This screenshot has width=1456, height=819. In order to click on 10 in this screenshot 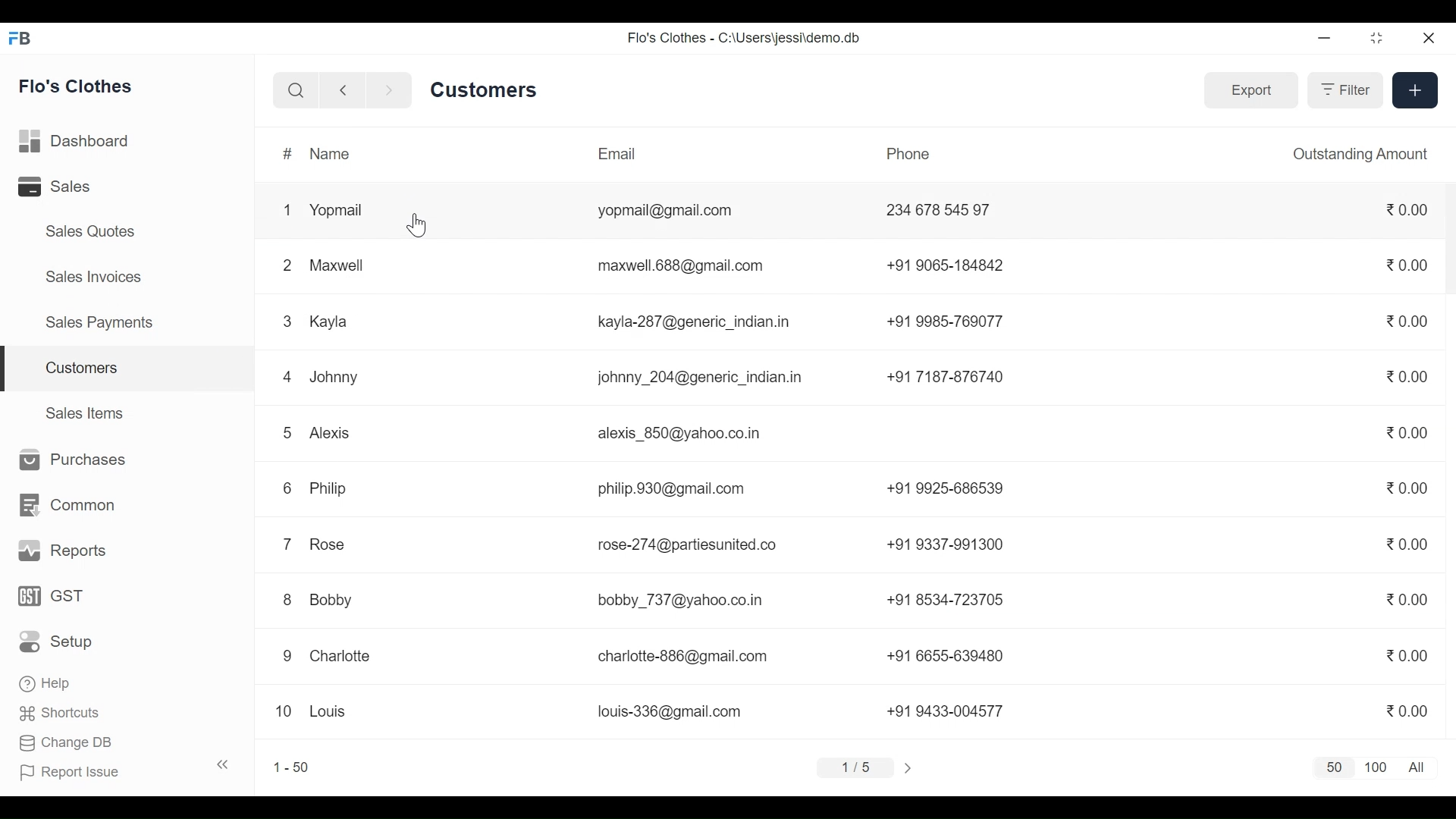, I will do `click(283, 710)`.